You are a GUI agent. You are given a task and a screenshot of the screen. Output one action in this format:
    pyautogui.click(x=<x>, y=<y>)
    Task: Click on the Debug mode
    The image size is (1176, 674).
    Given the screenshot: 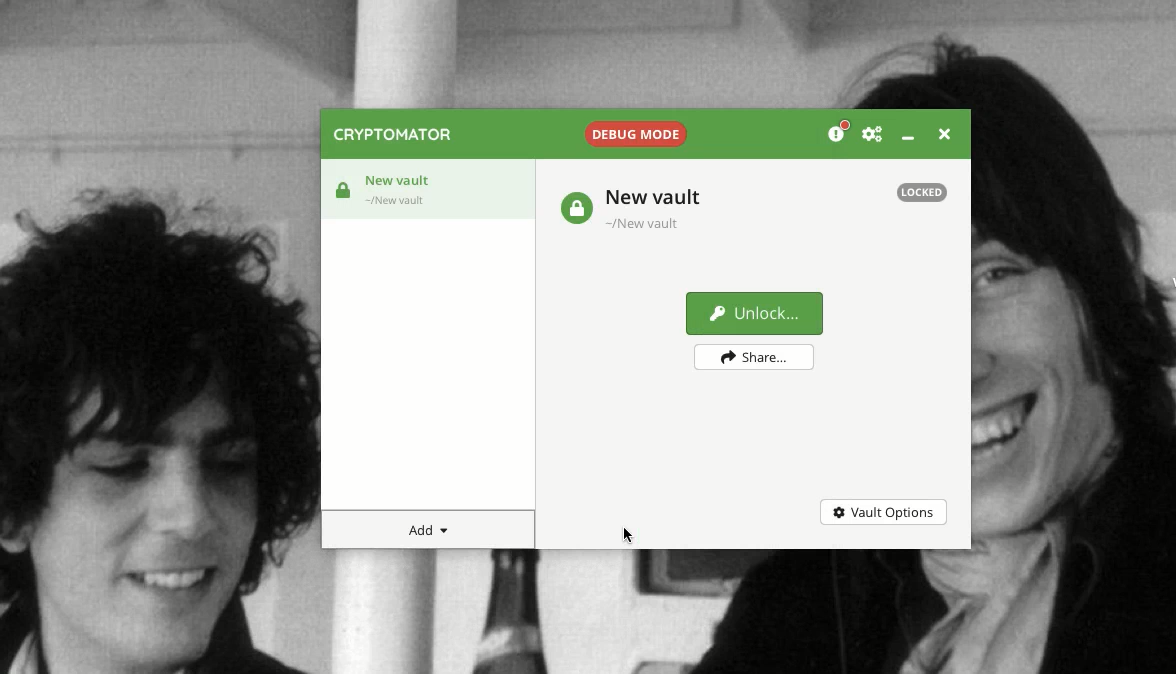 What is the action you would take?
    pyautogui.click(x=636, y=134)
    